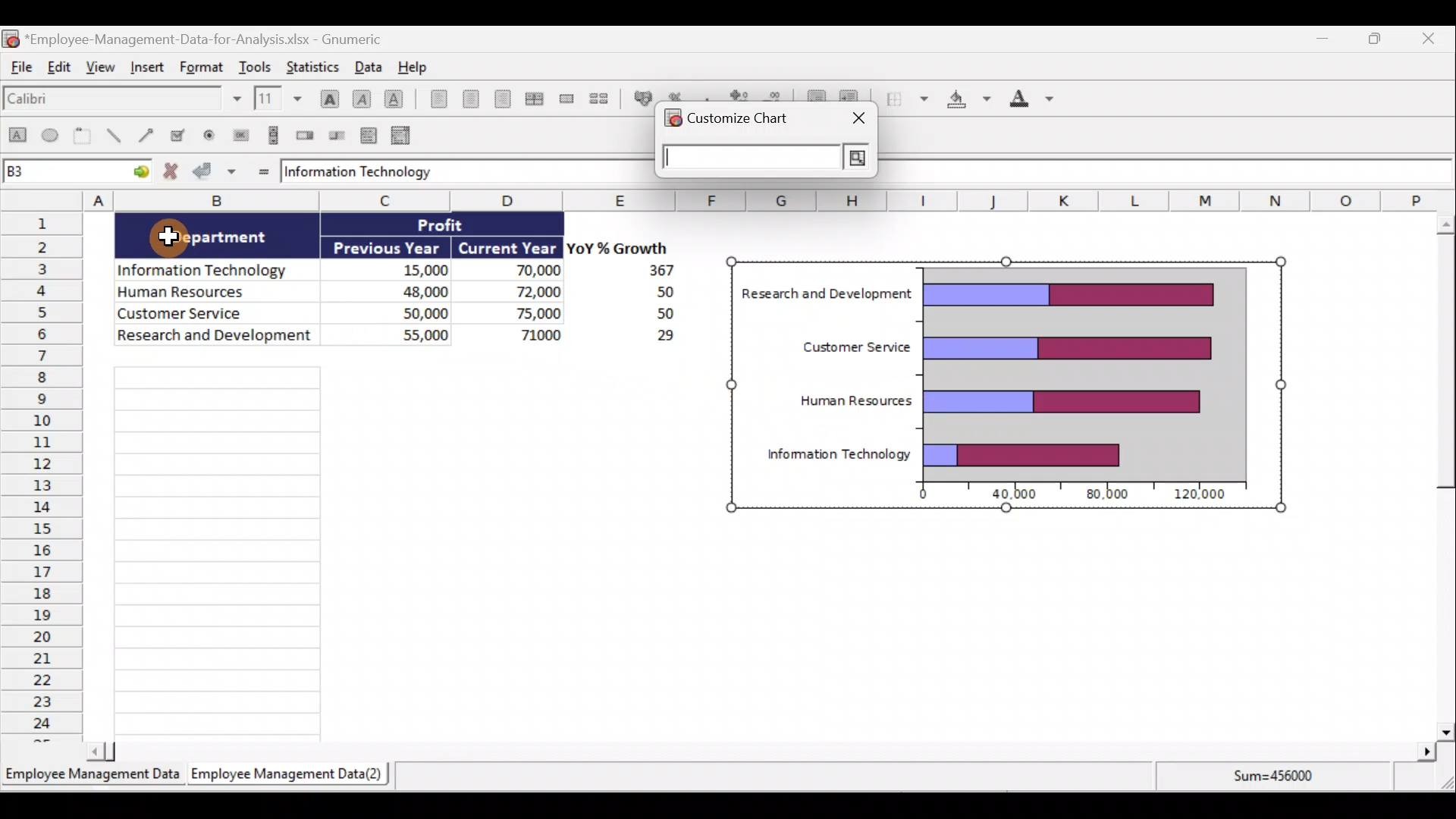 Image resolution: width=1456 pixels, height=819 pixels. I want to click on Create a slider, so click(337, 136).